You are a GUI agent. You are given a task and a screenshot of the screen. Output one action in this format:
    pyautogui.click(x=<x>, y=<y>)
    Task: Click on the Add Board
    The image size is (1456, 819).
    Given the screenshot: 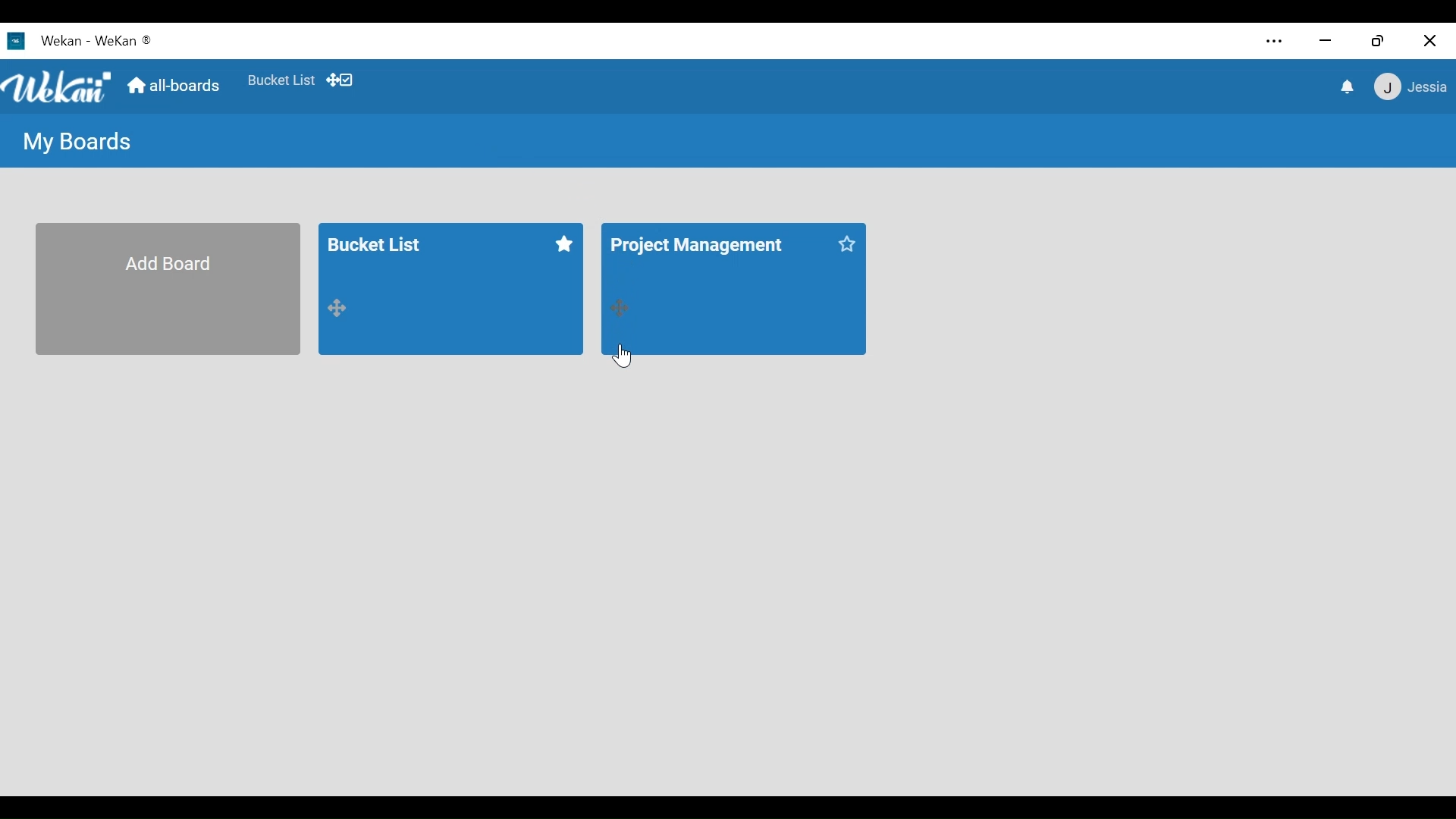 What is the action you would take?
    pyautogui.click(x=165, y=290)
    